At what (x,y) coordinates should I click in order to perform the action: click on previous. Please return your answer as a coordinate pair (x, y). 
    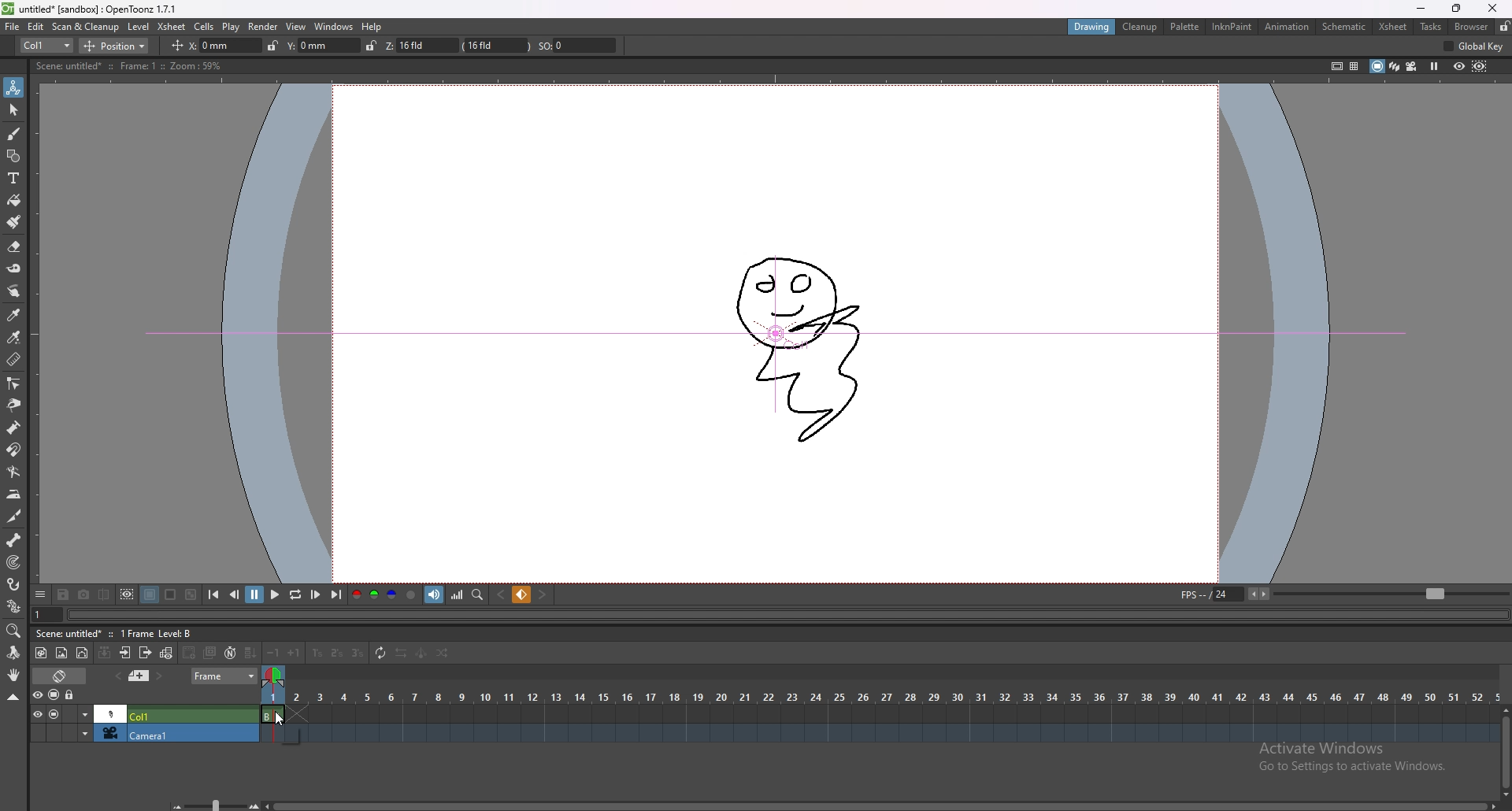
    Looking at the image, I should click on (235, 595).